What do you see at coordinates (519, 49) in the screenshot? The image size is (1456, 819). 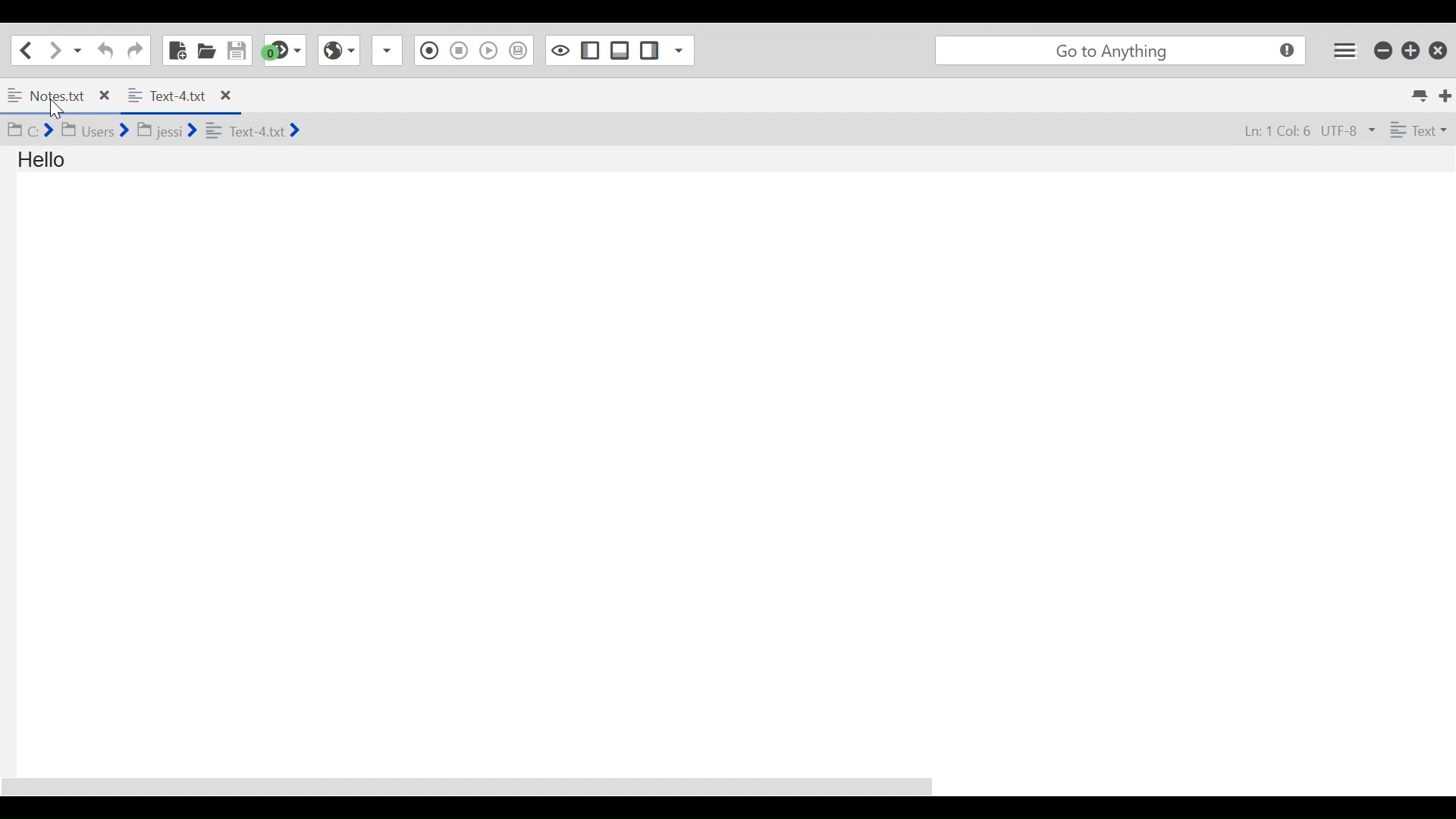 I see `Save Macro to Toolbox as Superscript` at bounding box center [519, 49].